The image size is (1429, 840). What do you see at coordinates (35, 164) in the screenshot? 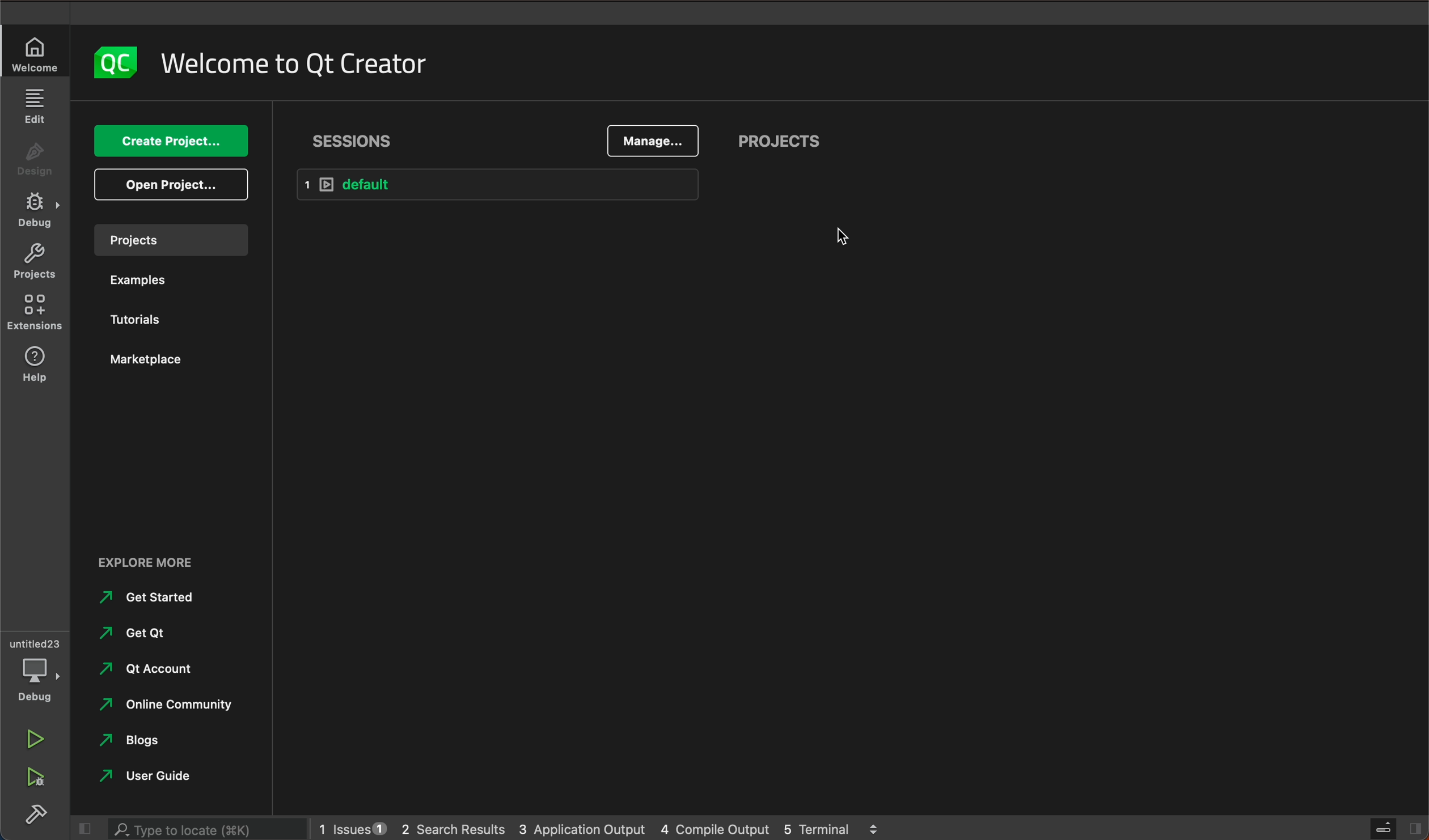
I see `design` at bounding box center [35, 164].